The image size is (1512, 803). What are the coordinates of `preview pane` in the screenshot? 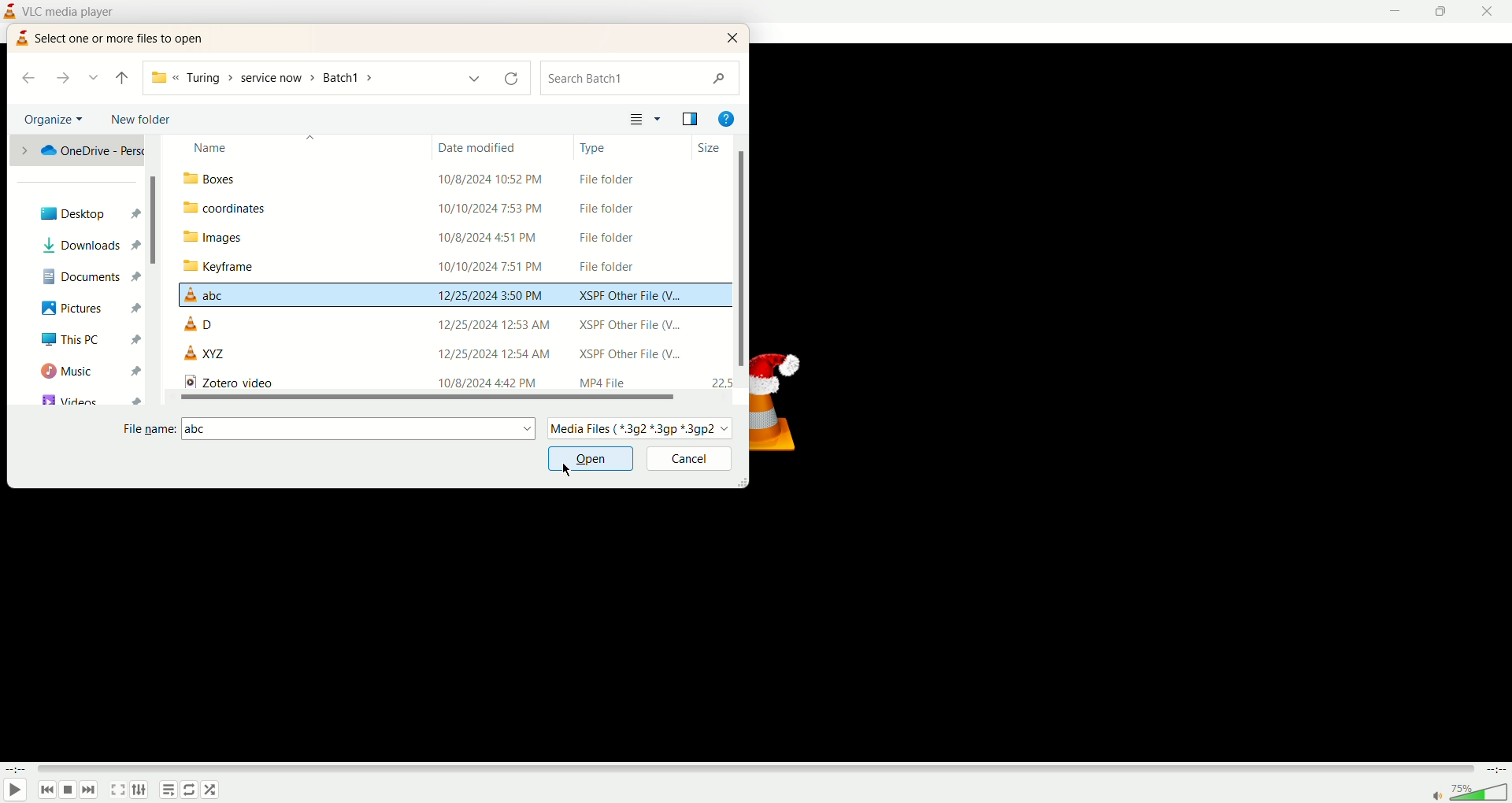 It's located at (693, 121).